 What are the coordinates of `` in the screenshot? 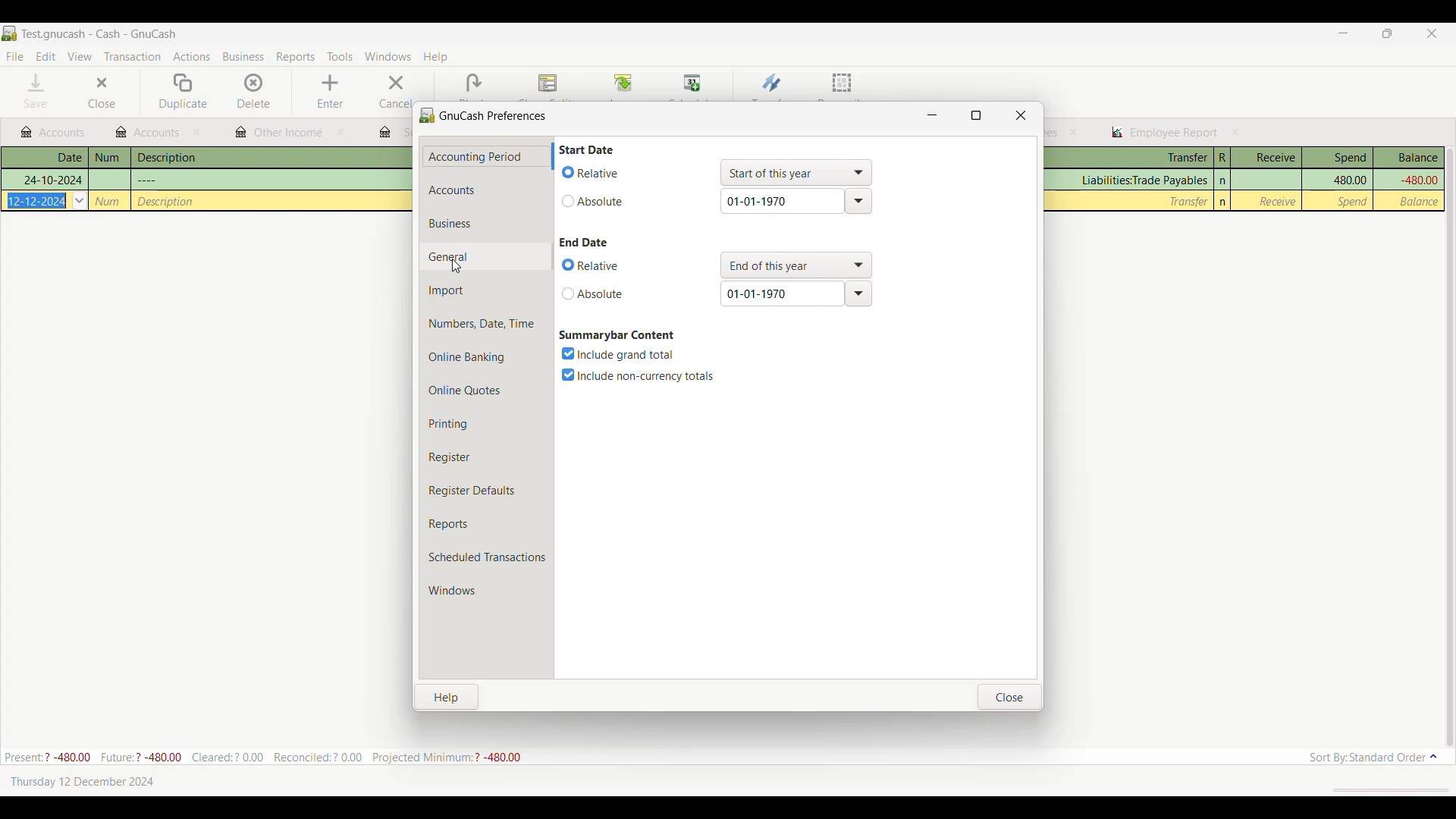 It's located at (38, 200).